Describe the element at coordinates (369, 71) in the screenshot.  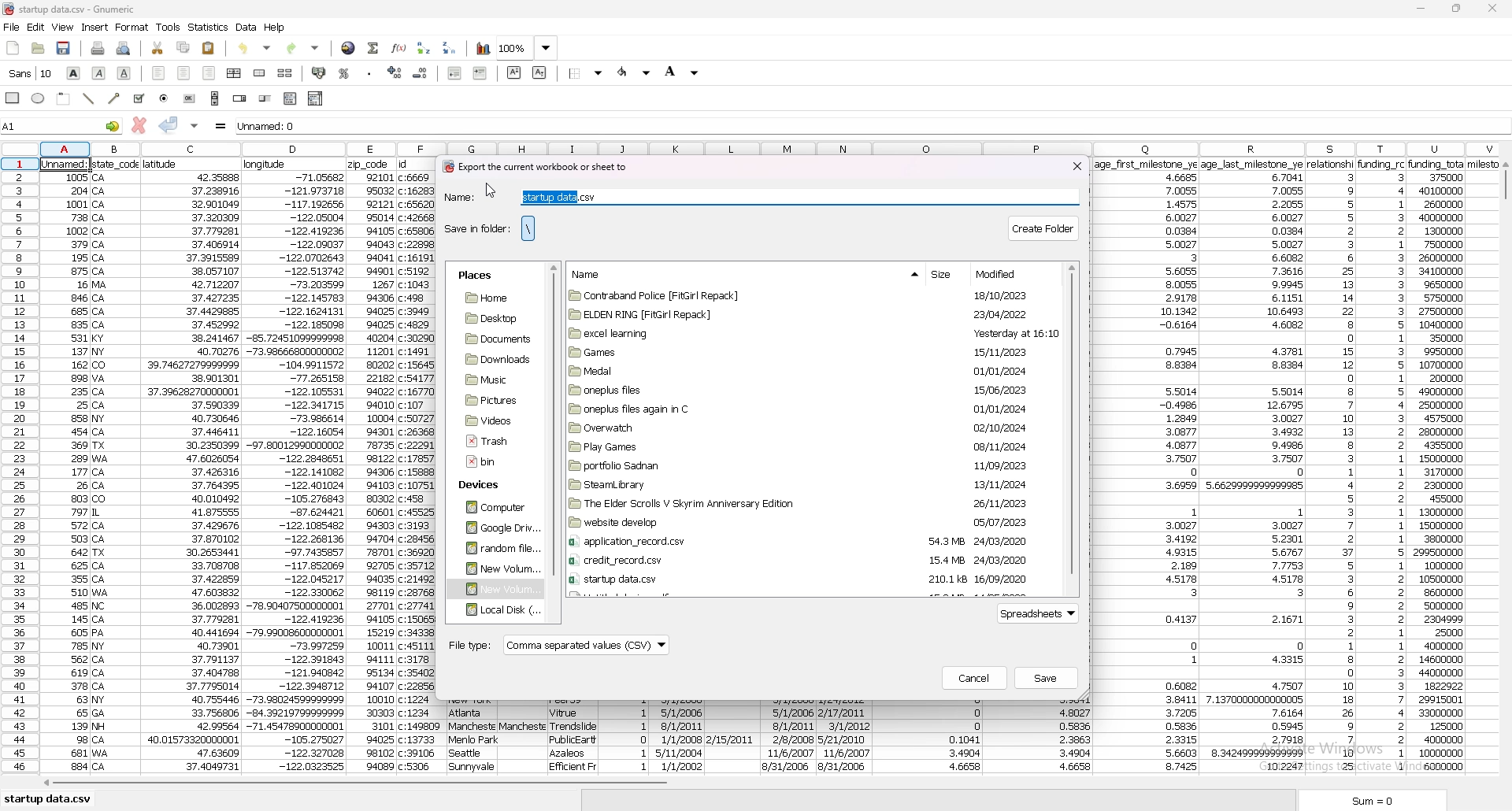
I see `thousands separator` at that location.